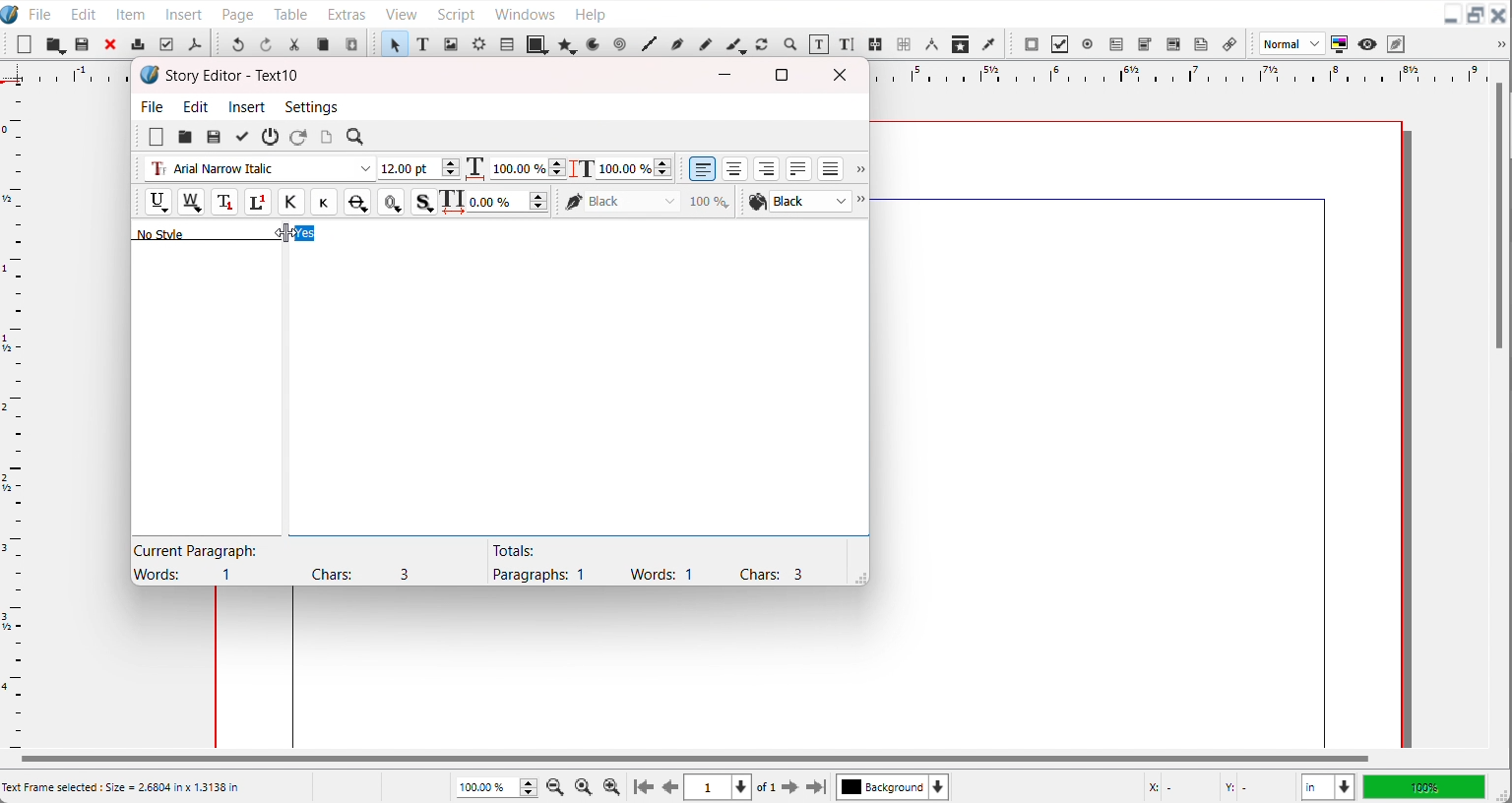  Describe the element at coordinates (648, 201) in the screenshot. I see `Black` at that location.